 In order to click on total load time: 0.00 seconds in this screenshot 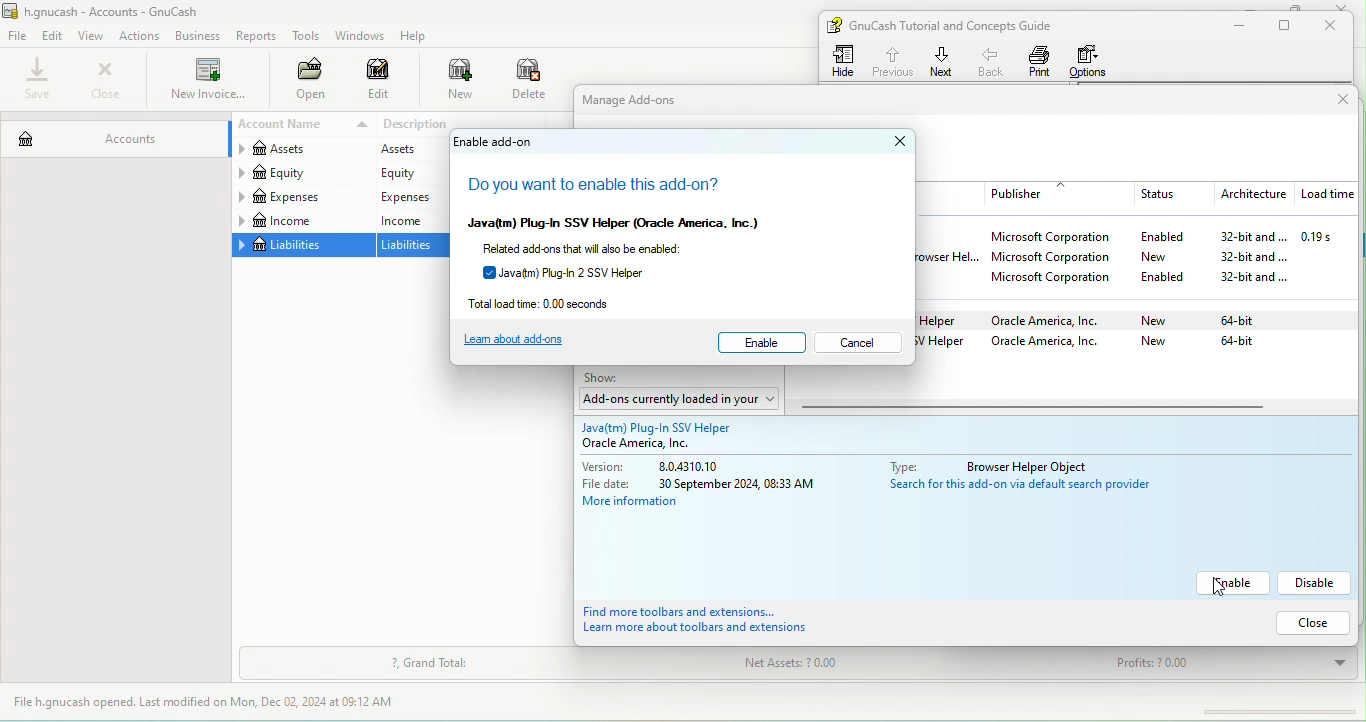, I will do `click(563, 303)`.